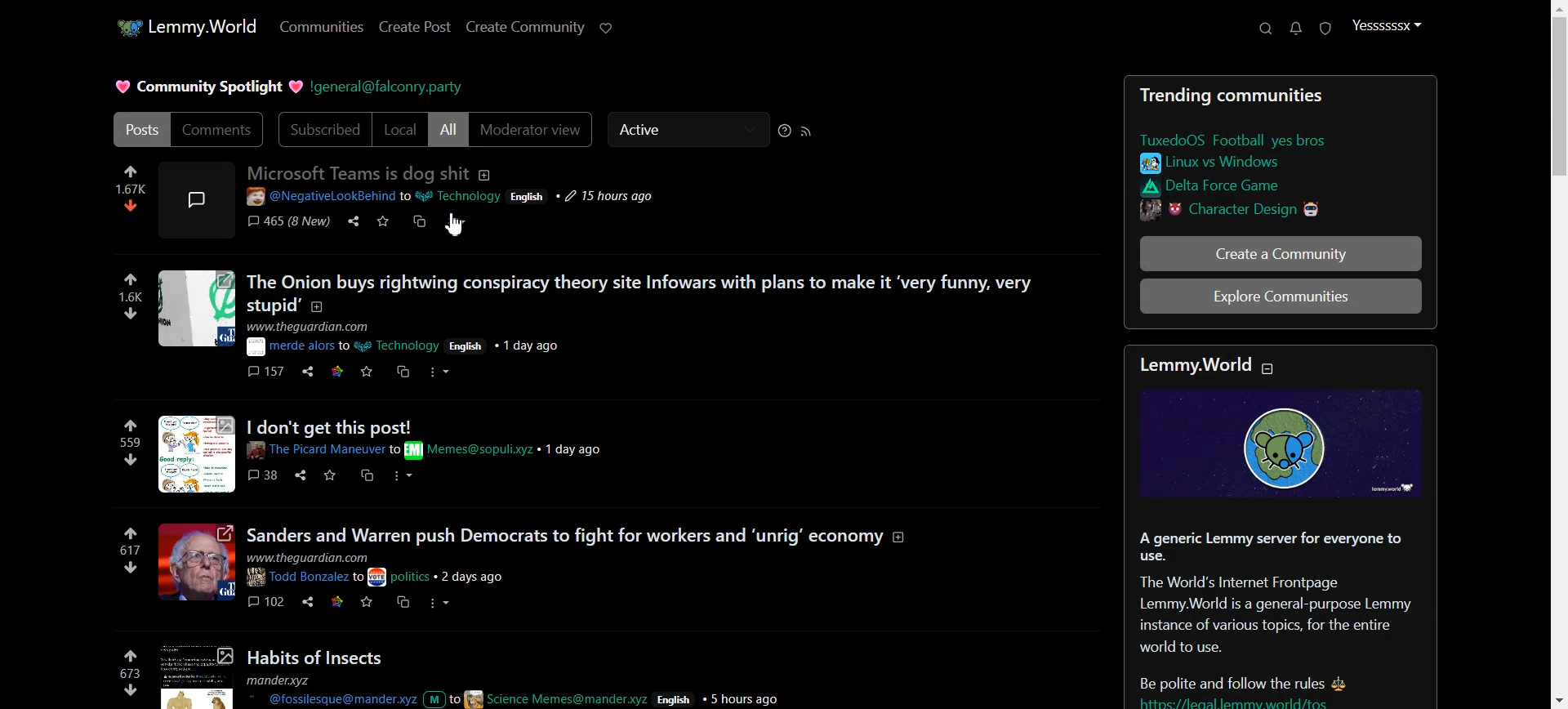 The height and width of the screenshot is (709, 1568). Describe the element at coordinates (323, 129) in the screenshot. I see `Subscribed` at that location.